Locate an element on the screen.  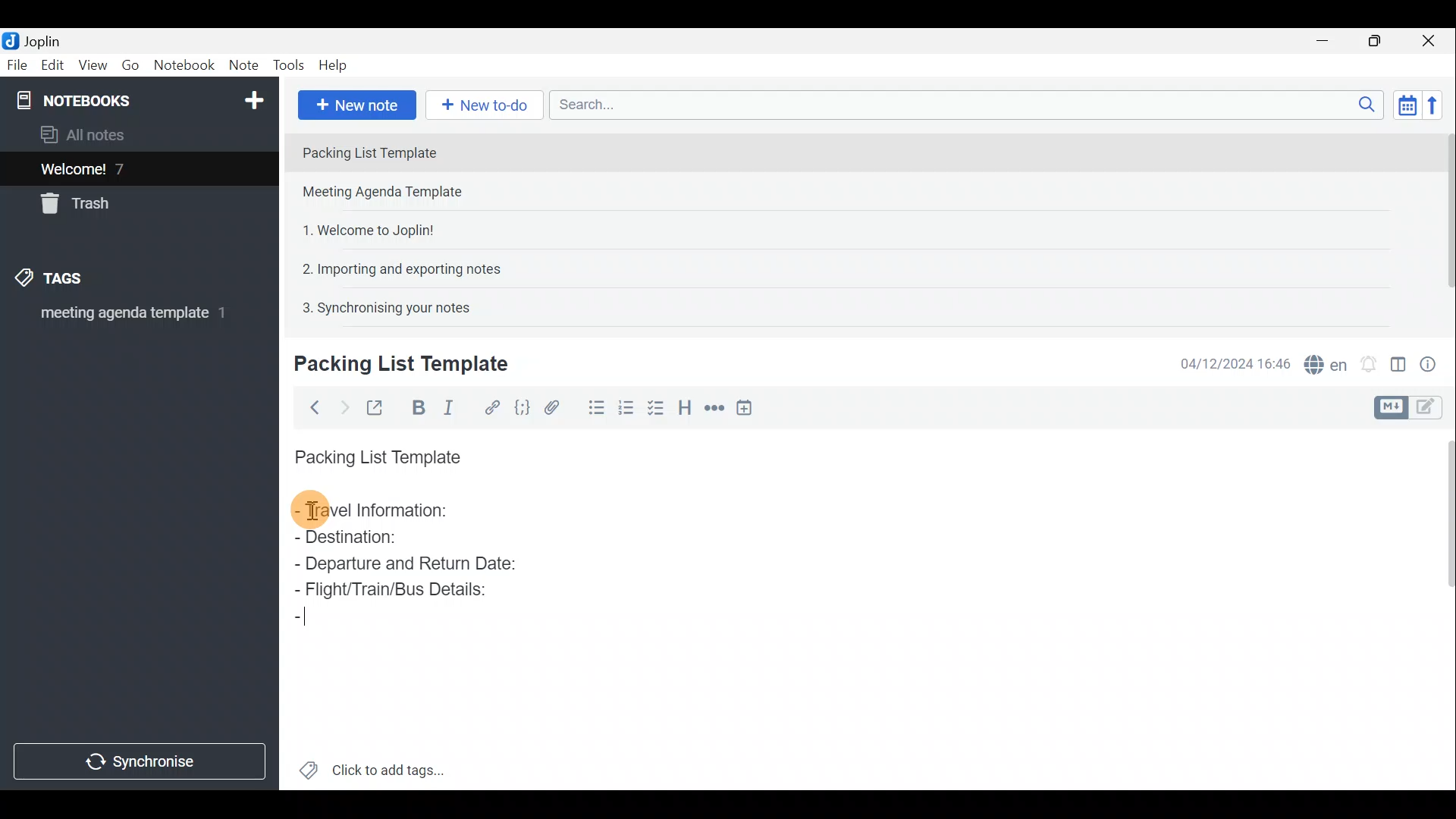
Cursor is located at coordinates (312, 622).